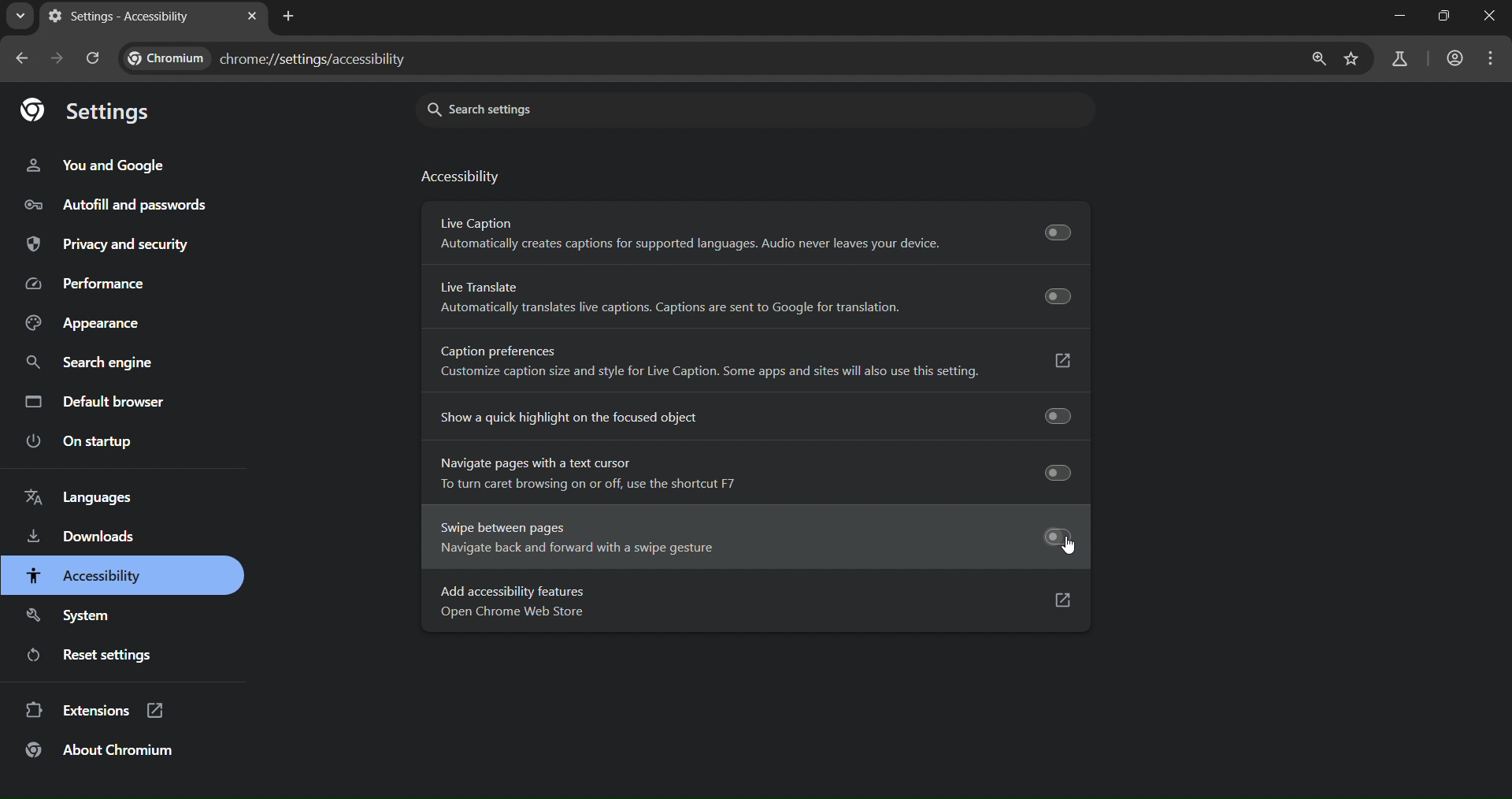  Describe the element at coordinates (135, 206) in the screenshot. I see `autofill and passwords` at that location.